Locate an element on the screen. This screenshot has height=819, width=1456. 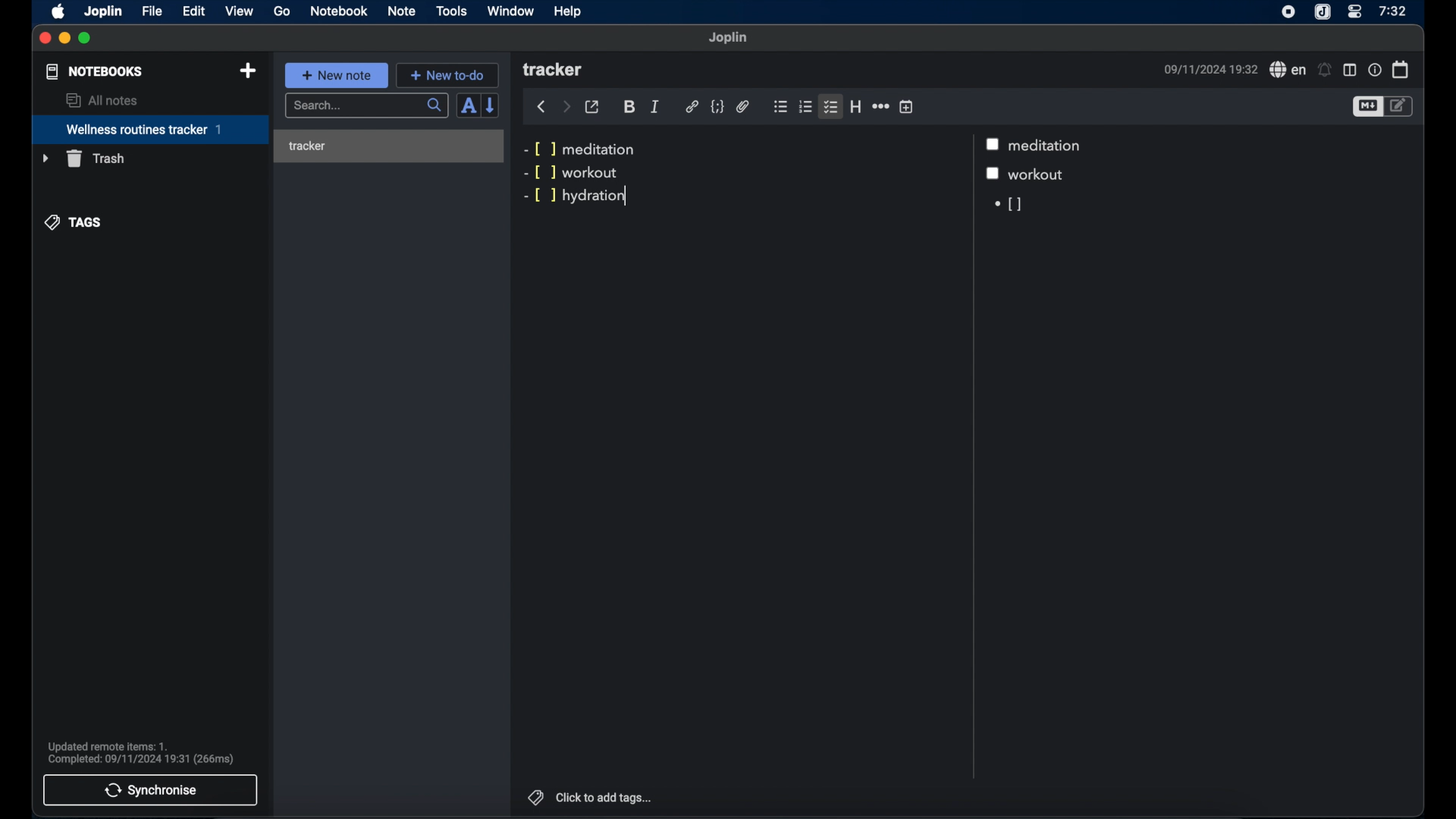
toggle editor layout is located at coordinates (1349, 70).